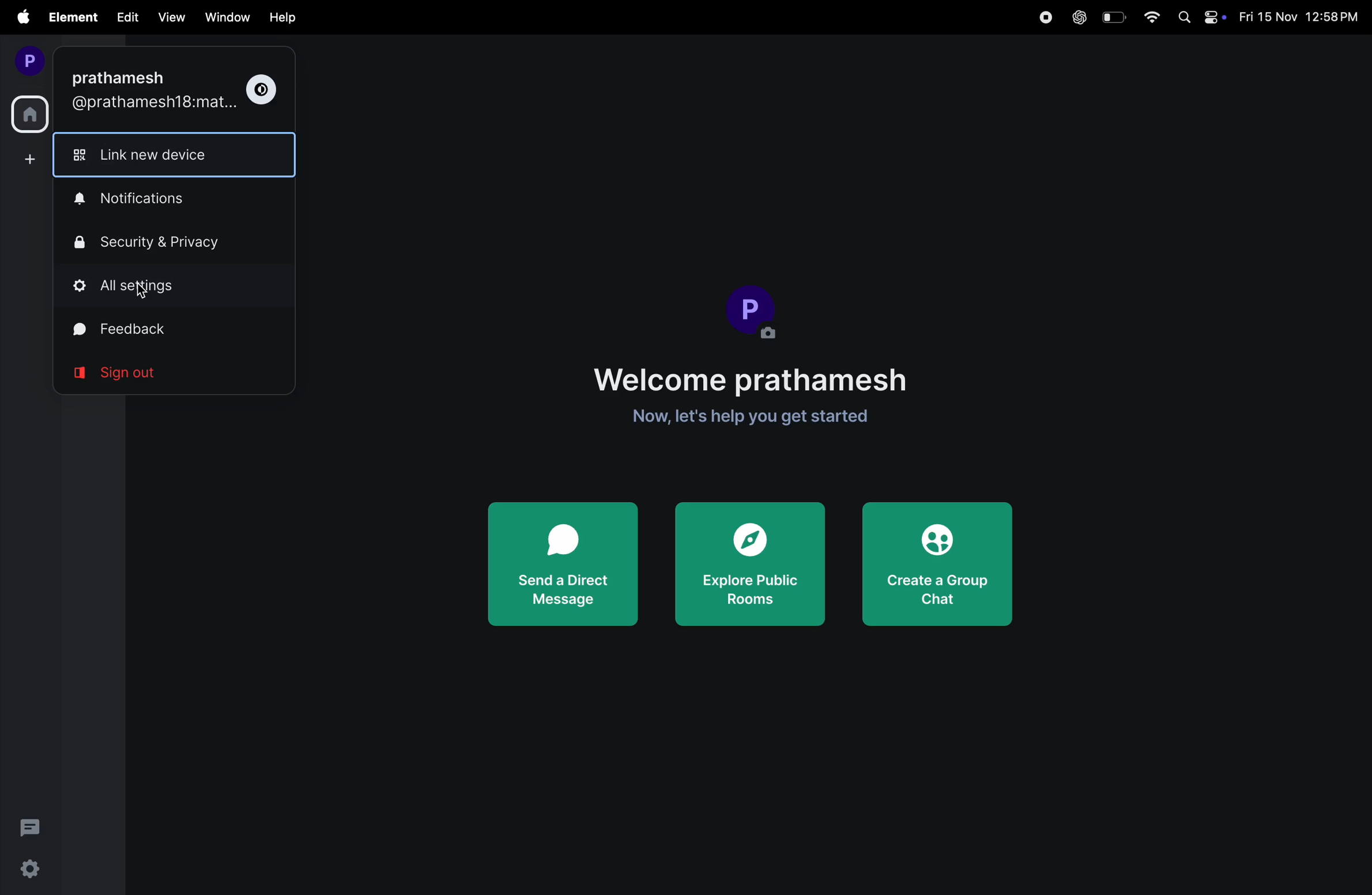 This screenshot has height=895, width=1372. Describe the element at coordinates (31, 826) in the screenshot. I see `threads` at that location.